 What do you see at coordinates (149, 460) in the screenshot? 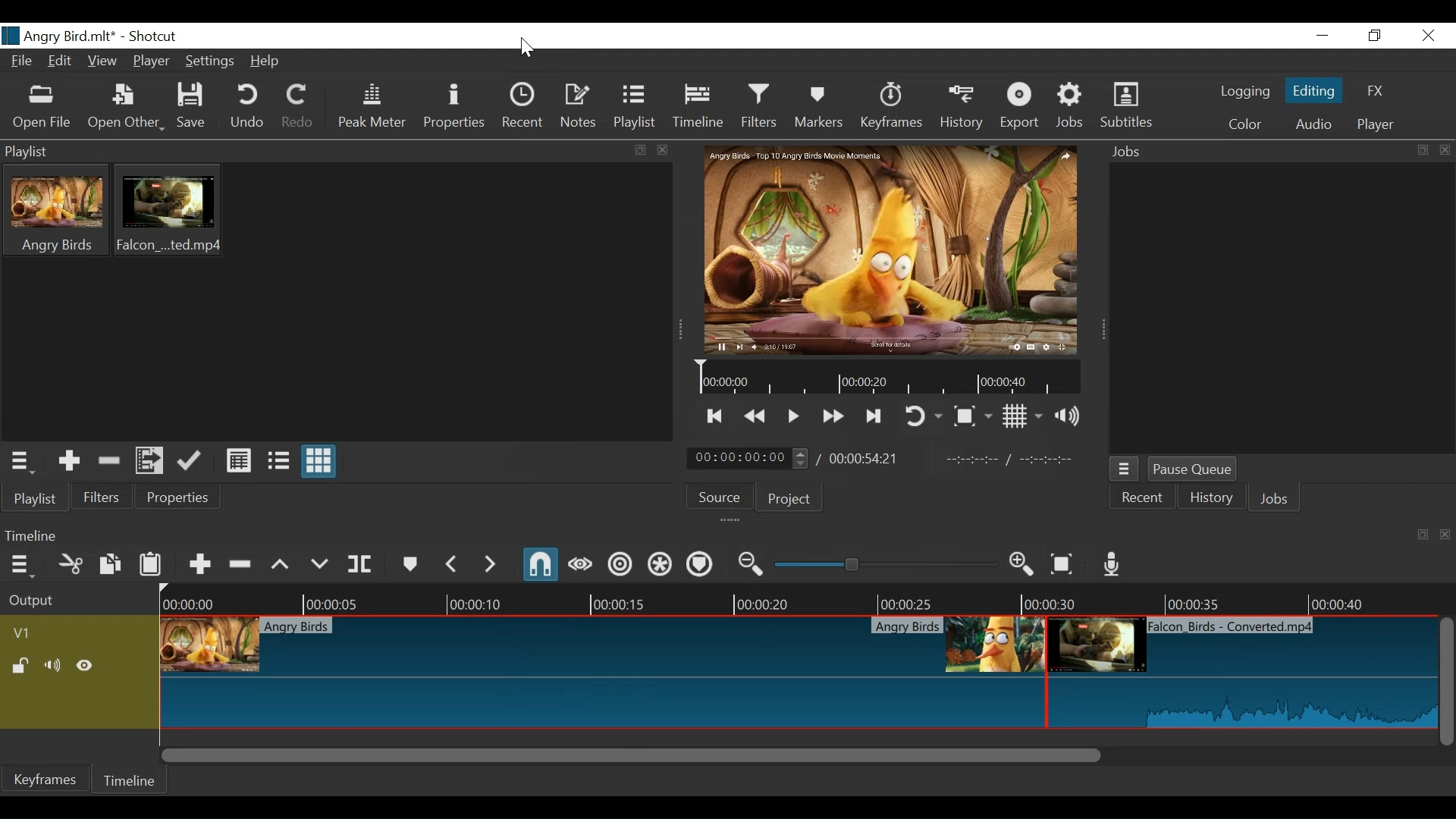
I see `Add files to the playlist` at bounding box center [149, 460].